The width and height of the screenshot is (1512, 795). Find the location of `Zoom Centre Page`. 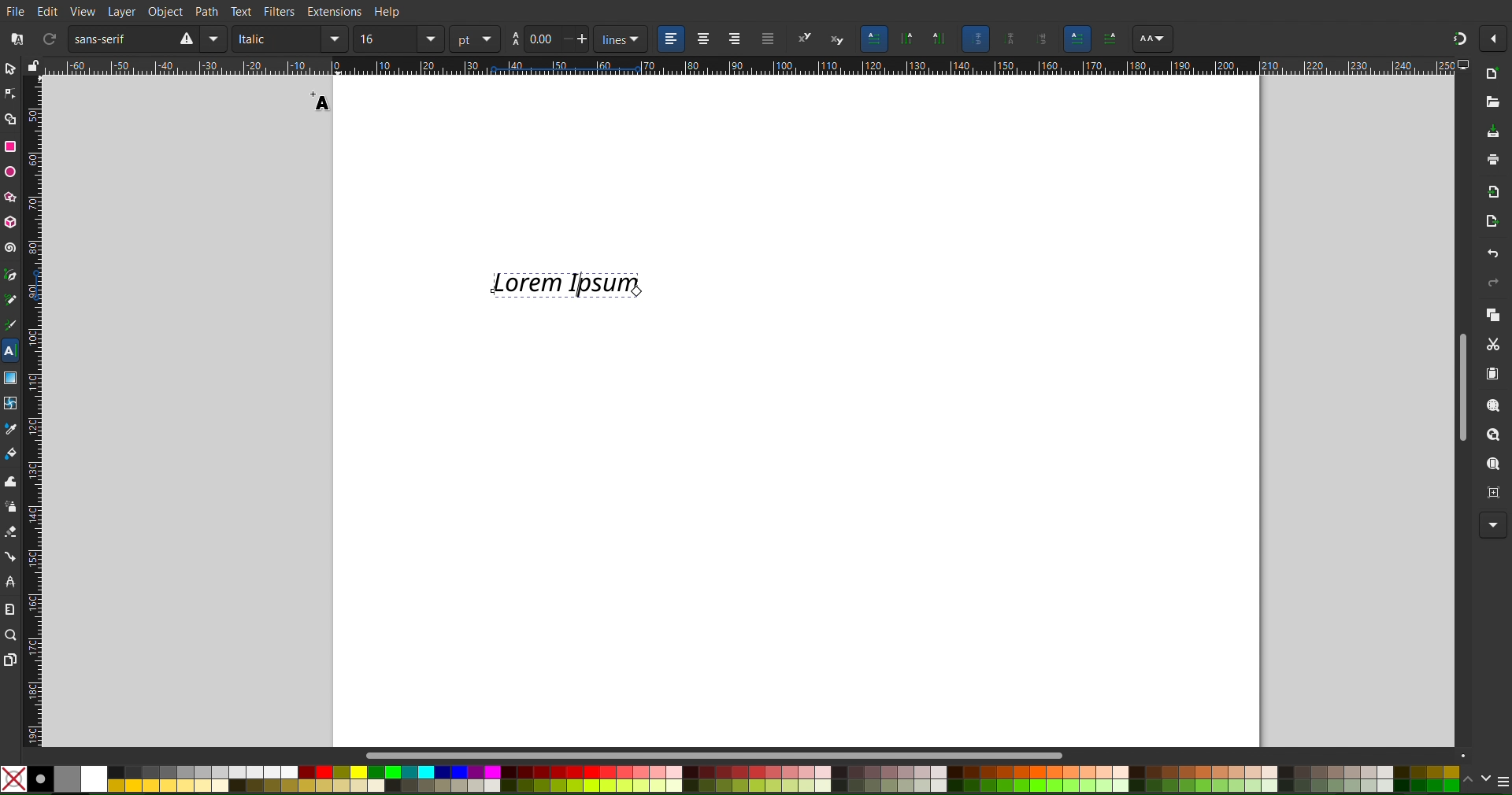

Zoom Centre Page is located at coordinates (1487, 494).